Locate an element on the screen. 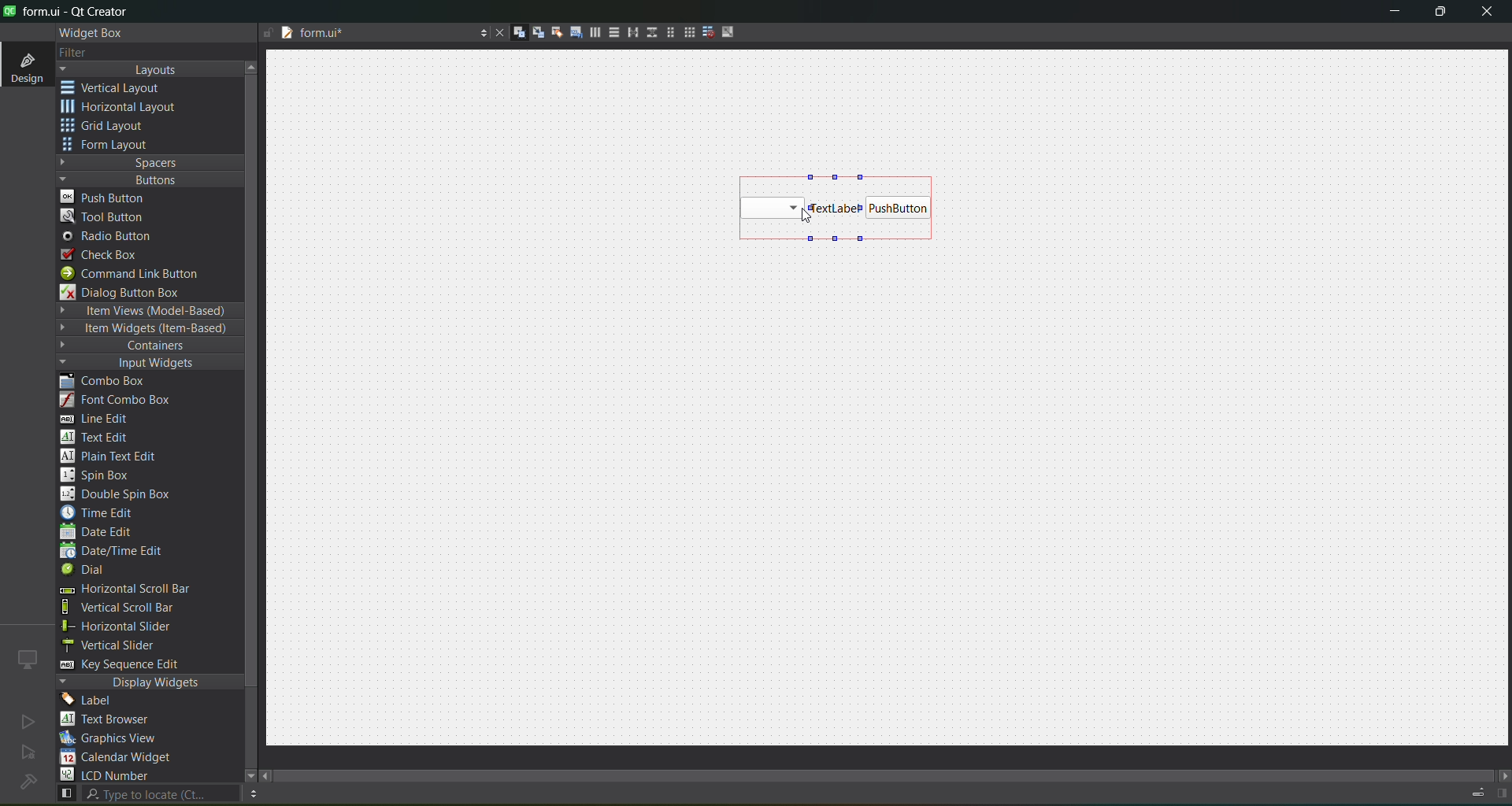 Image resolution: width=1512 pixels, height=806 pixels. line edit  is located at coordinates (102, 419).